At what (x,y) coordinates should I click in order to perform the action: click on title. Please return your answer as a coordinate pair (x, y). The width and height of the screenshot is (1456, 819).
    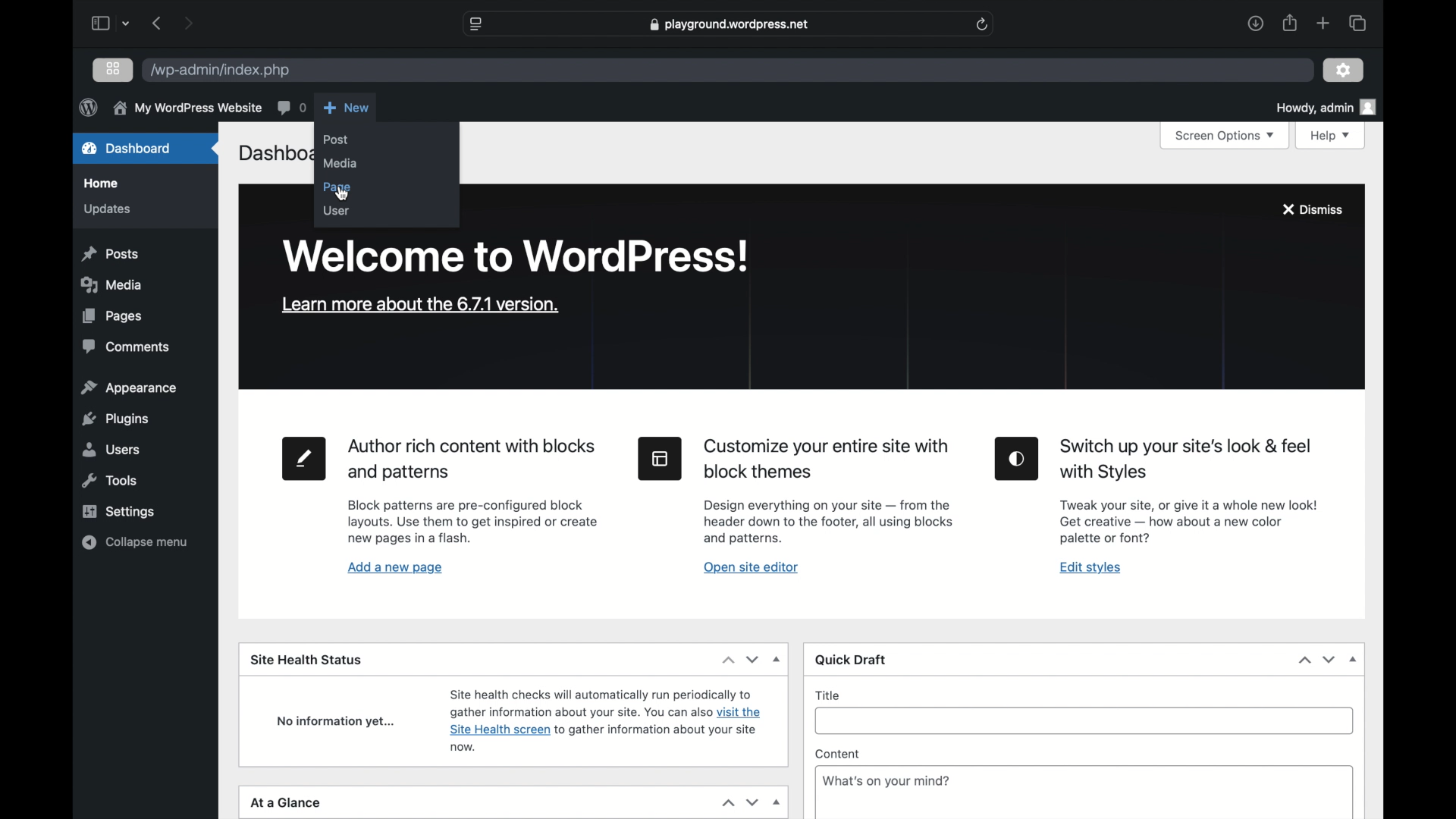
    Looking at the image, I should click on (829, 695).